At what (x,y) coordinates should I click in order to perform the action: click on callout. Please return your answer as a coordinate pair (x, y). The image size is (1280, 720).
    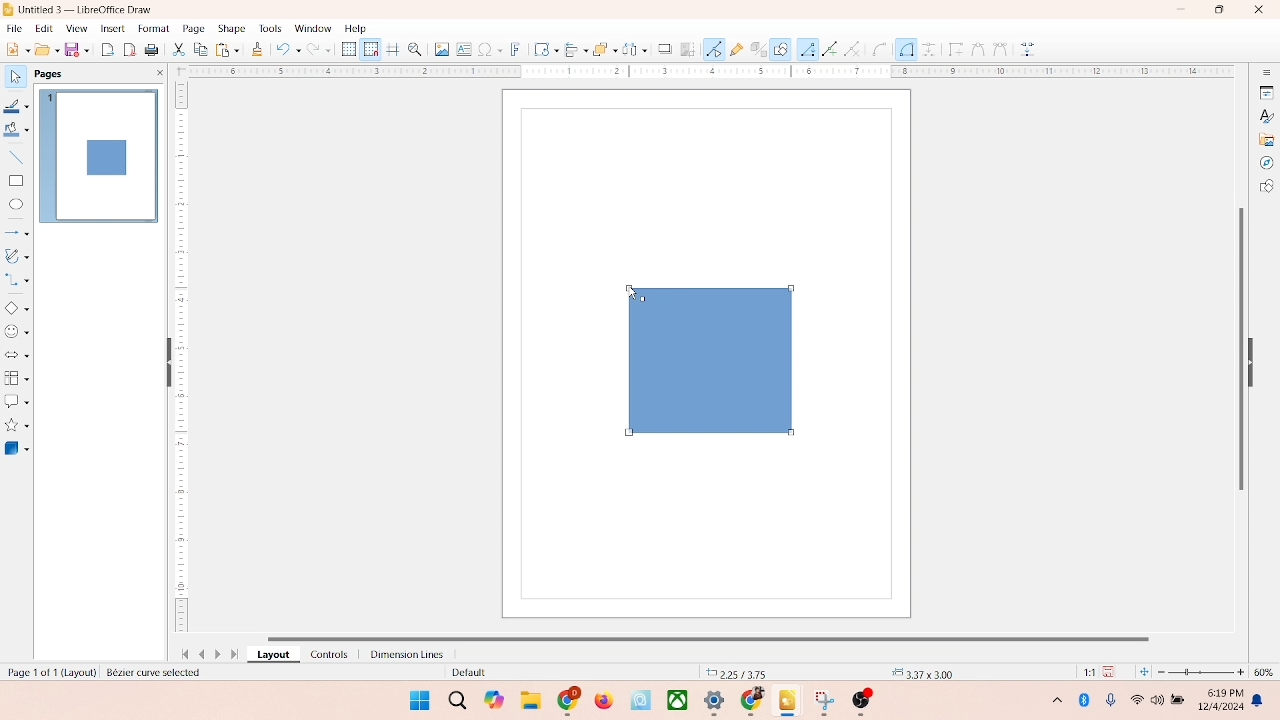
    Looking at the image, I should click on (16, 401).